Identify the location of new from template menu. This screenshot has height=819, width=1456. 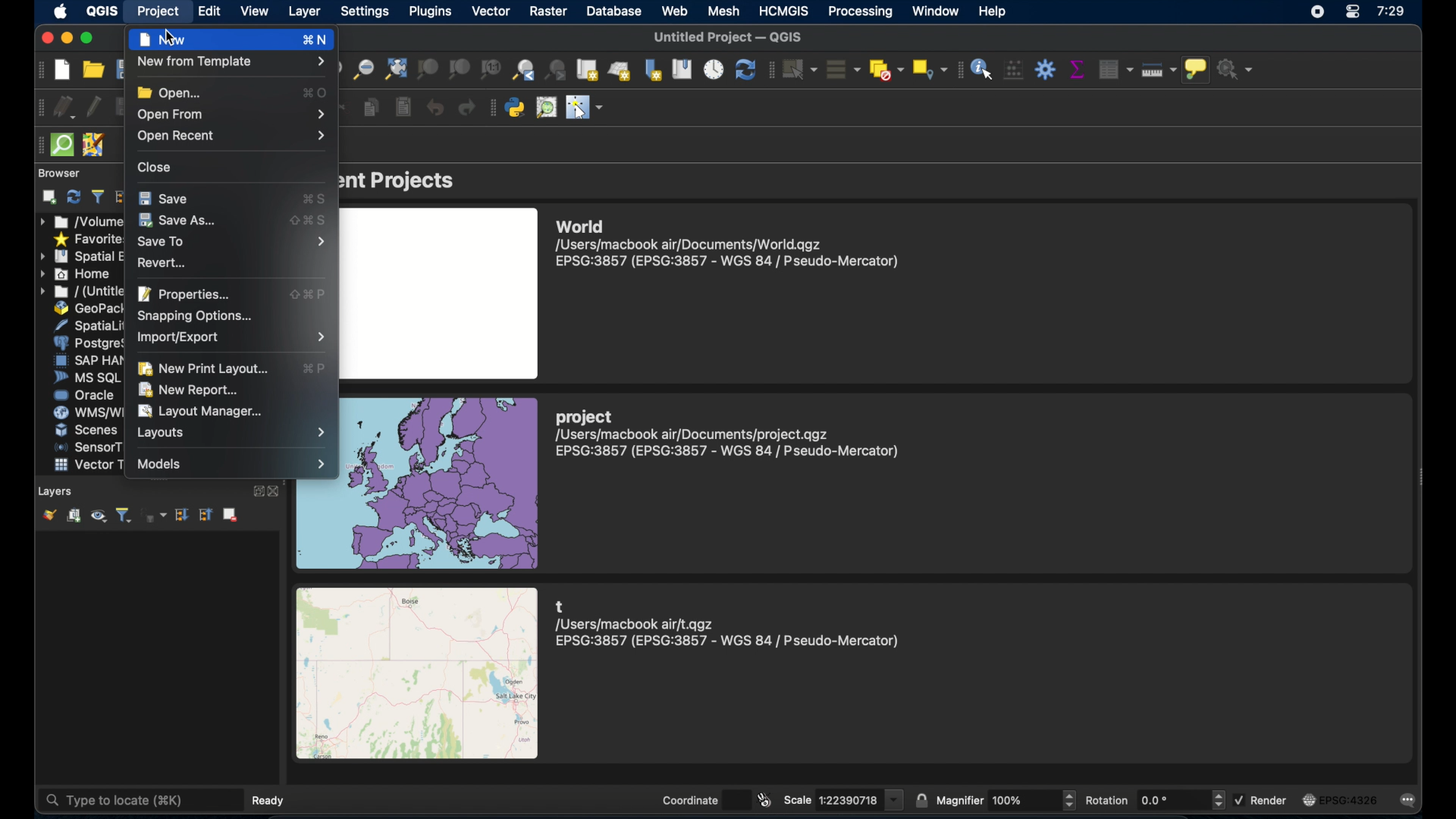
(234, 61).